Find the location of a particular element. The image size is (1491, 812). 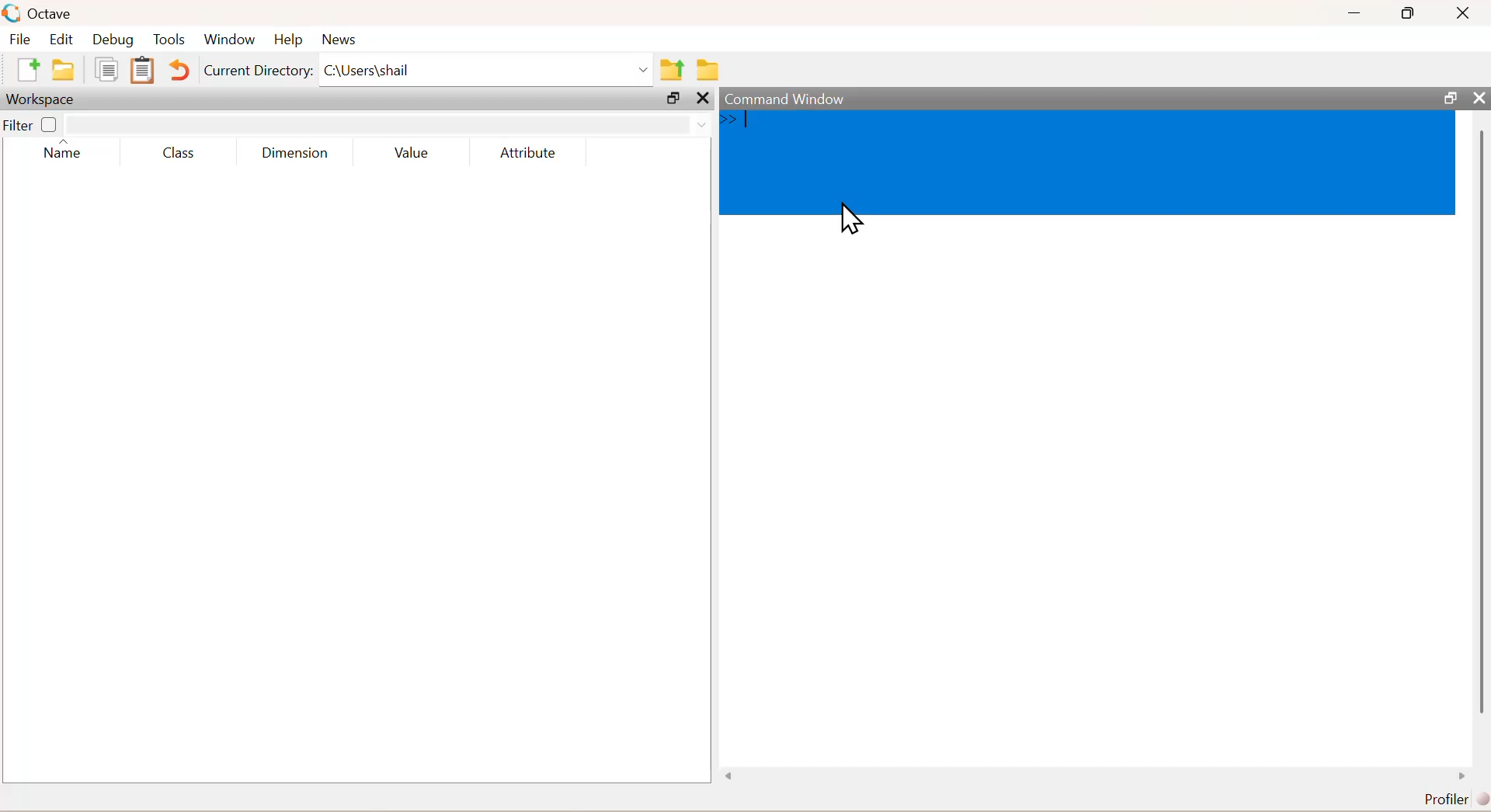

copy is located at coordinates (106, 69).